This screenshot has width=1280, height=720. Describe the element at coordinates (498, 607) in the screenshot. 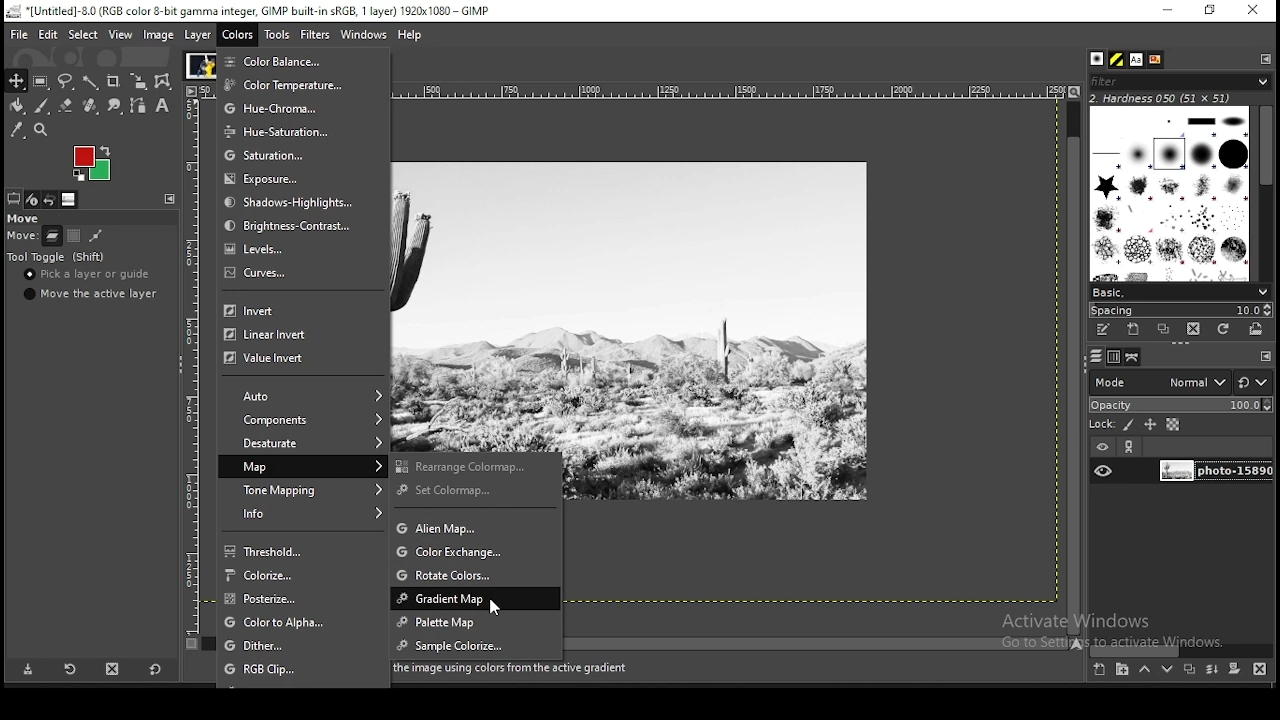

I see `cursor` at that location.